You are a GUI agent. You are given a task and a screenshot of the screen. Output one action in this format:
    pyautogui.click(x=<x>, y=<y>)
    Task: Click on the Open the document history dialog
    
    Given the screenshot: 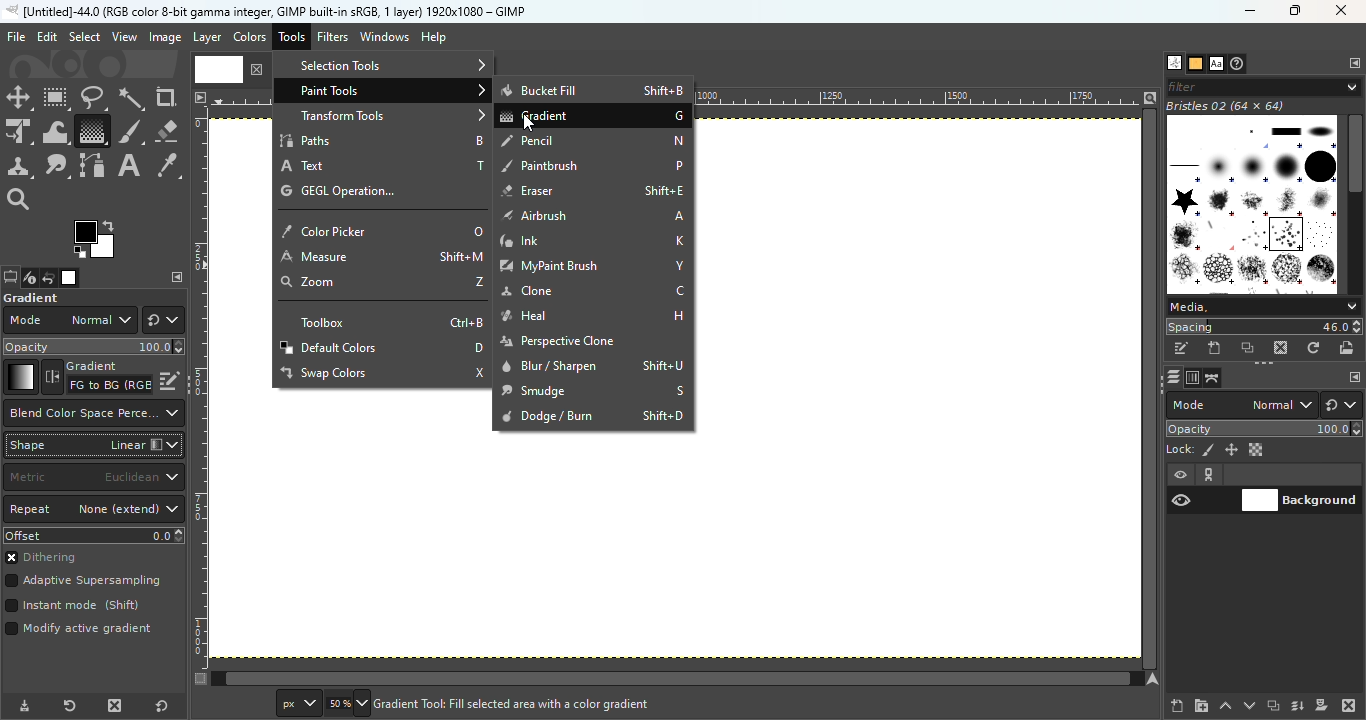 What is the action you would take?
    pyautogui.click(x=1239, y=64)
    